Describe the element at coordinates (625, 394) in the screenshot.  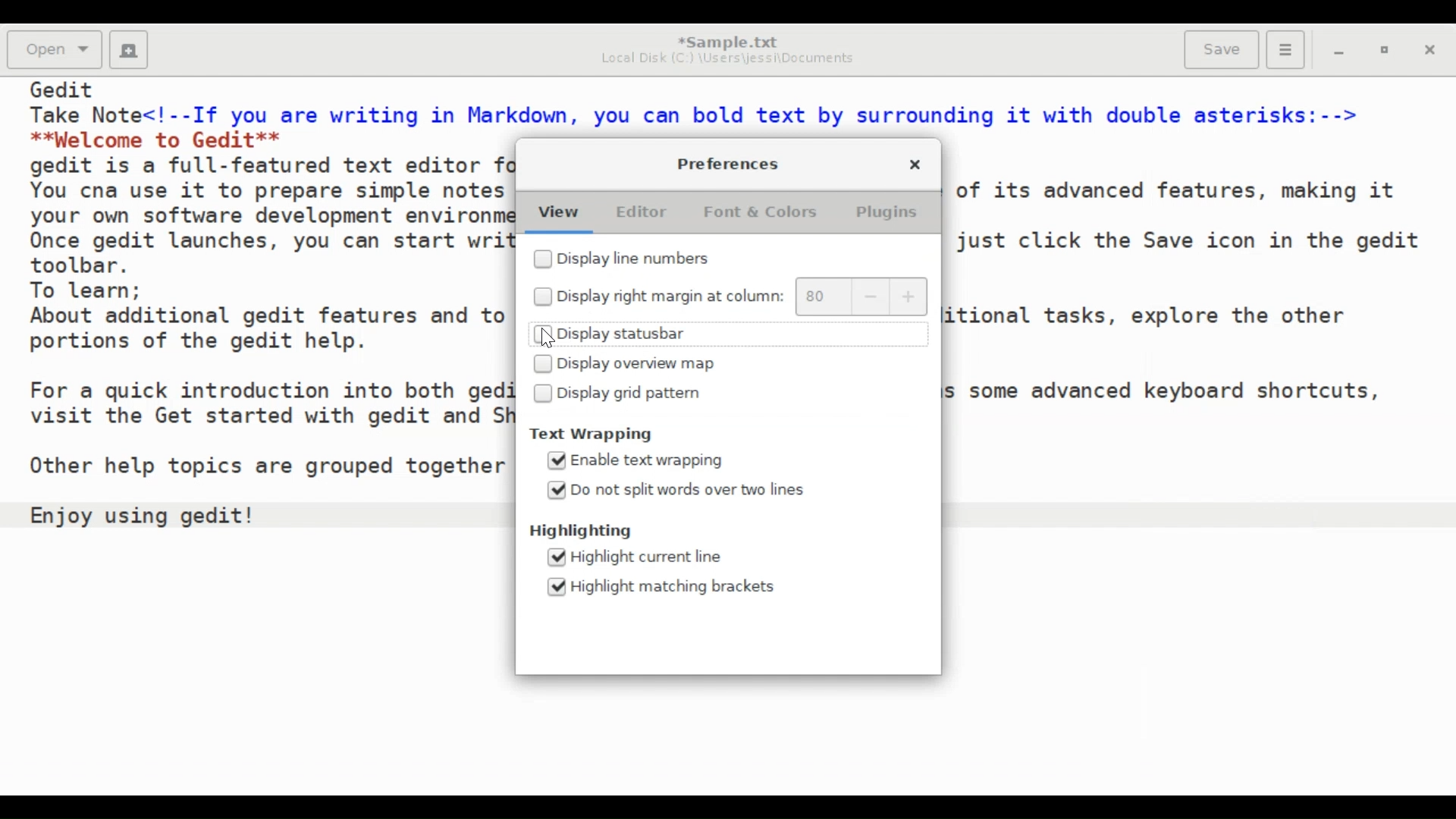
I see `(un)select Display grid pattern` at that location.